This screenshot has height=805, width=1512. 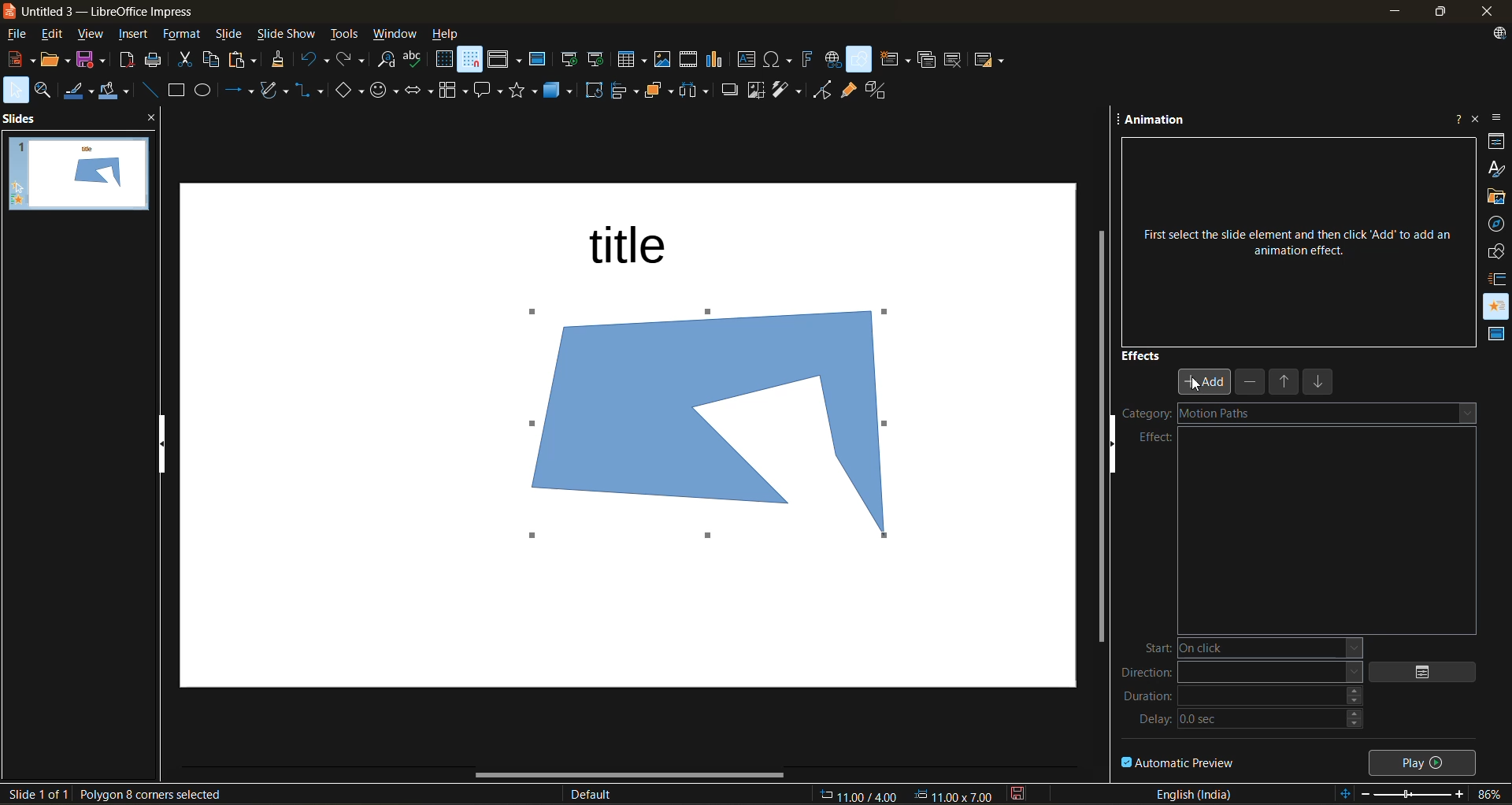 I want to click on fit to slide, so click(x=1342, y=792).